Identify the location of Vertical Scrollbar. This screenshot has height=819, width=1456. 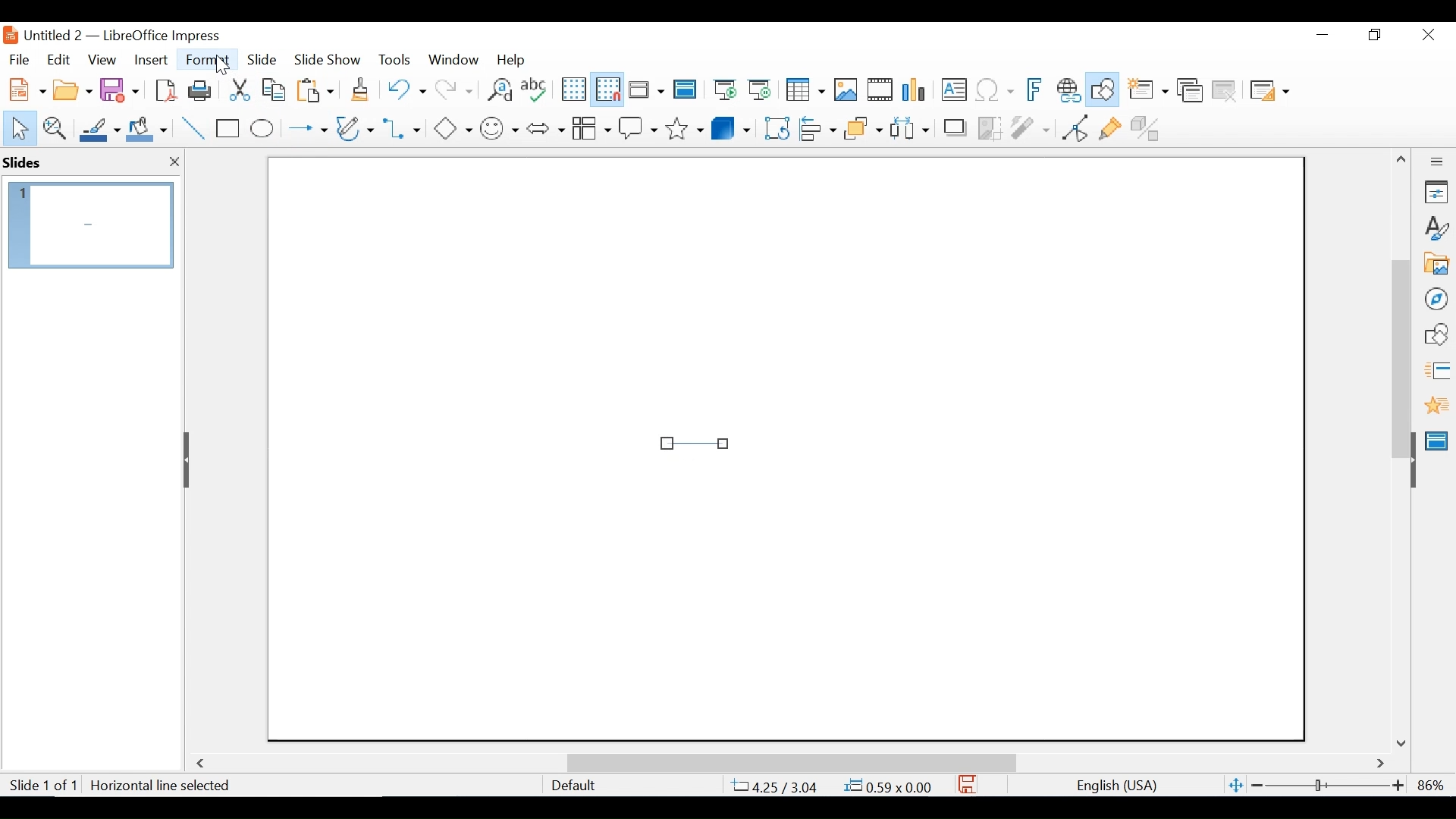
(1400, 341).